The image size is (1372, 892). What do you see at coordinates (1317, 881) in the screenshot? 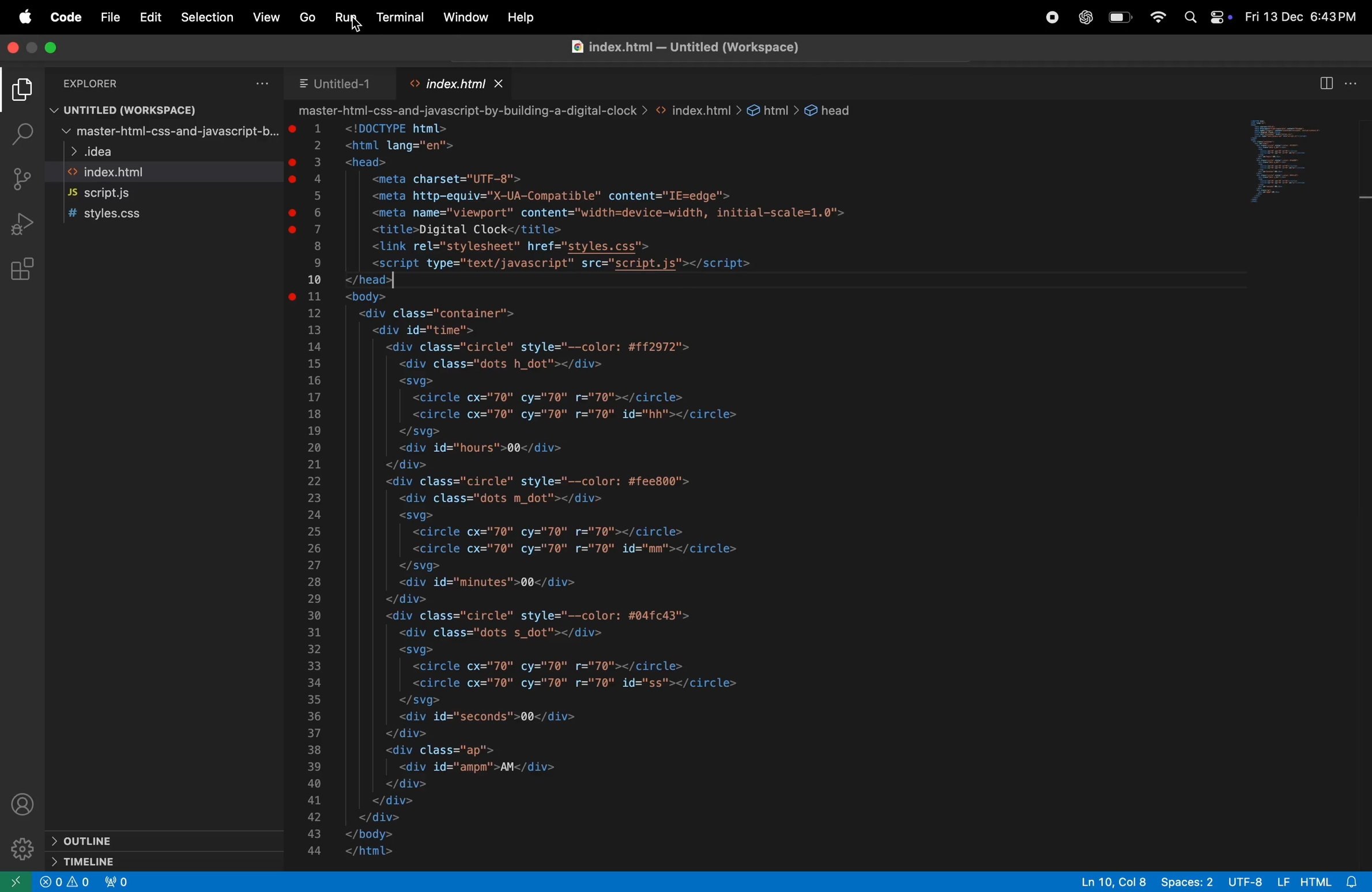
I see `Lf Html` at bounding box center [1317, 881].